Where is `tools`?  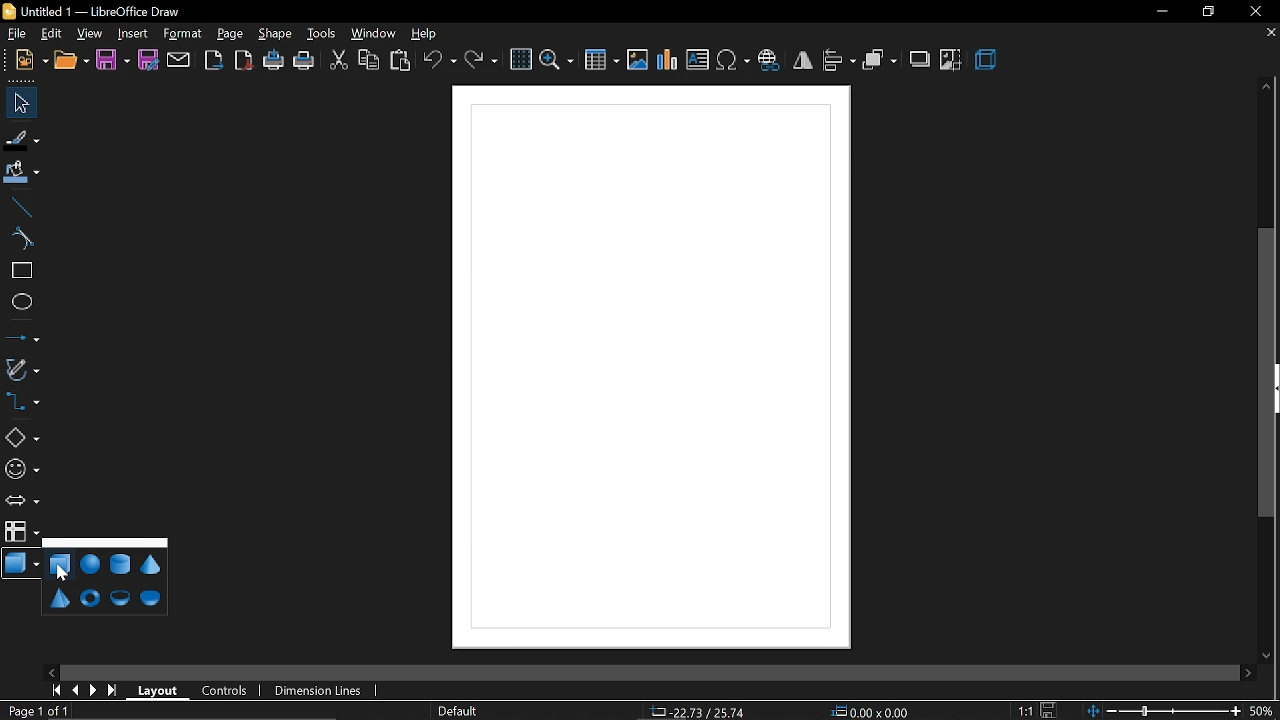 tools is located at coordinates (324, 34).